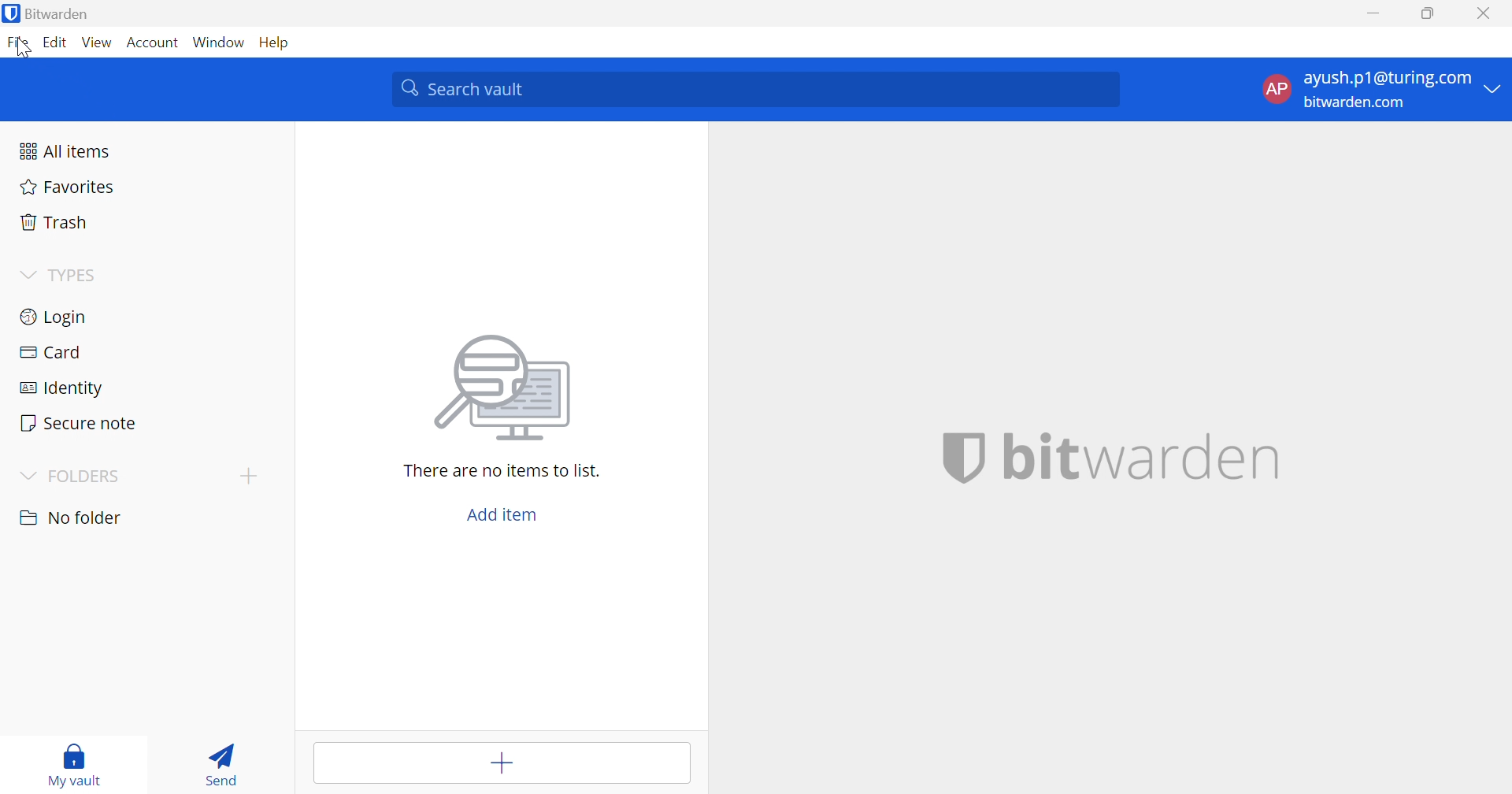 Image resolution: width=1512 pixels, height=794 pixels. Describe the element at coordinates (1377, 13) in the screenshot. I see `Minimize` at that location.